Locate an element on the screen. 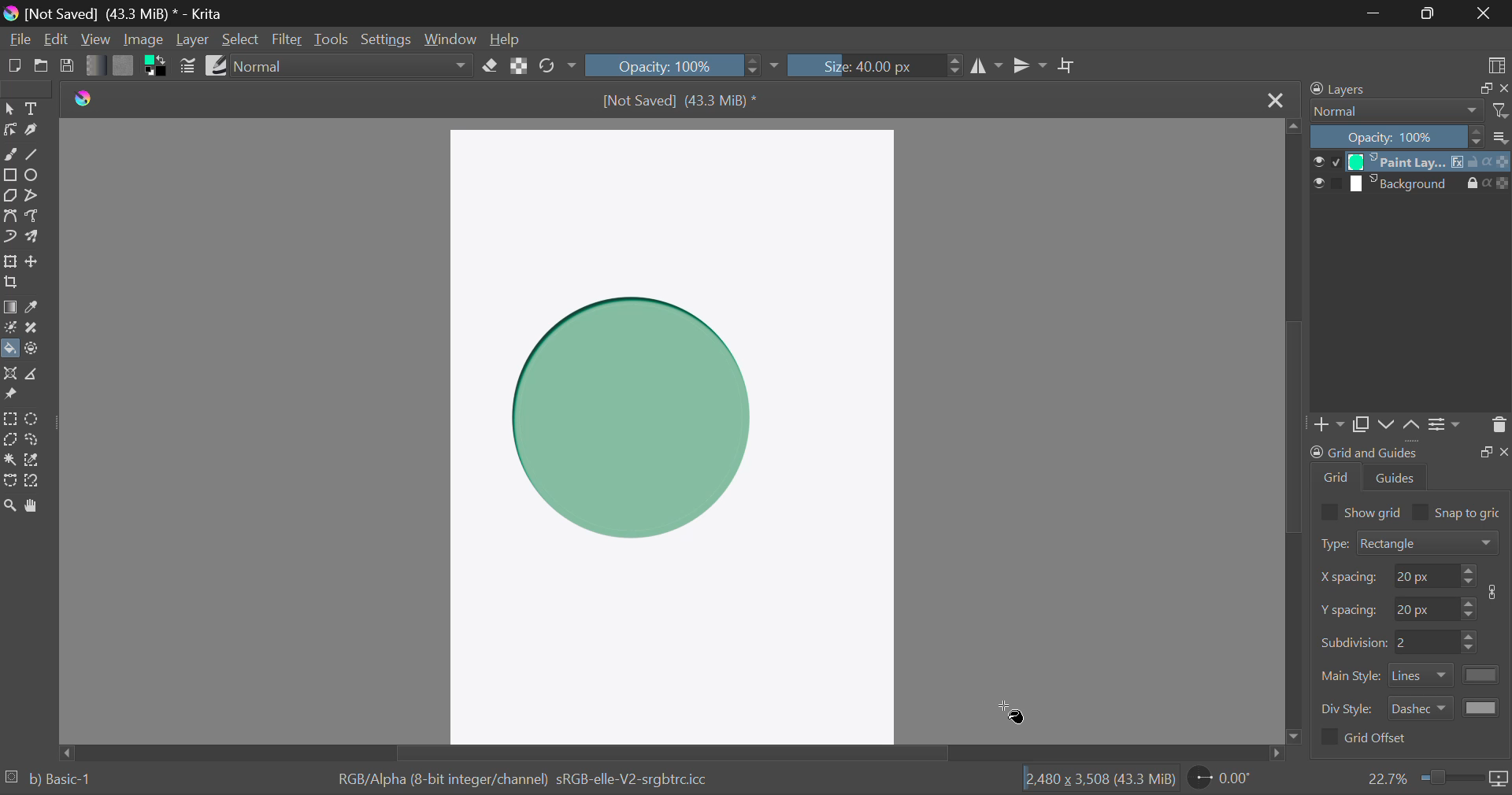 This screenshot has width=1512, height=795. move up is located at coordinates (1294, 124).